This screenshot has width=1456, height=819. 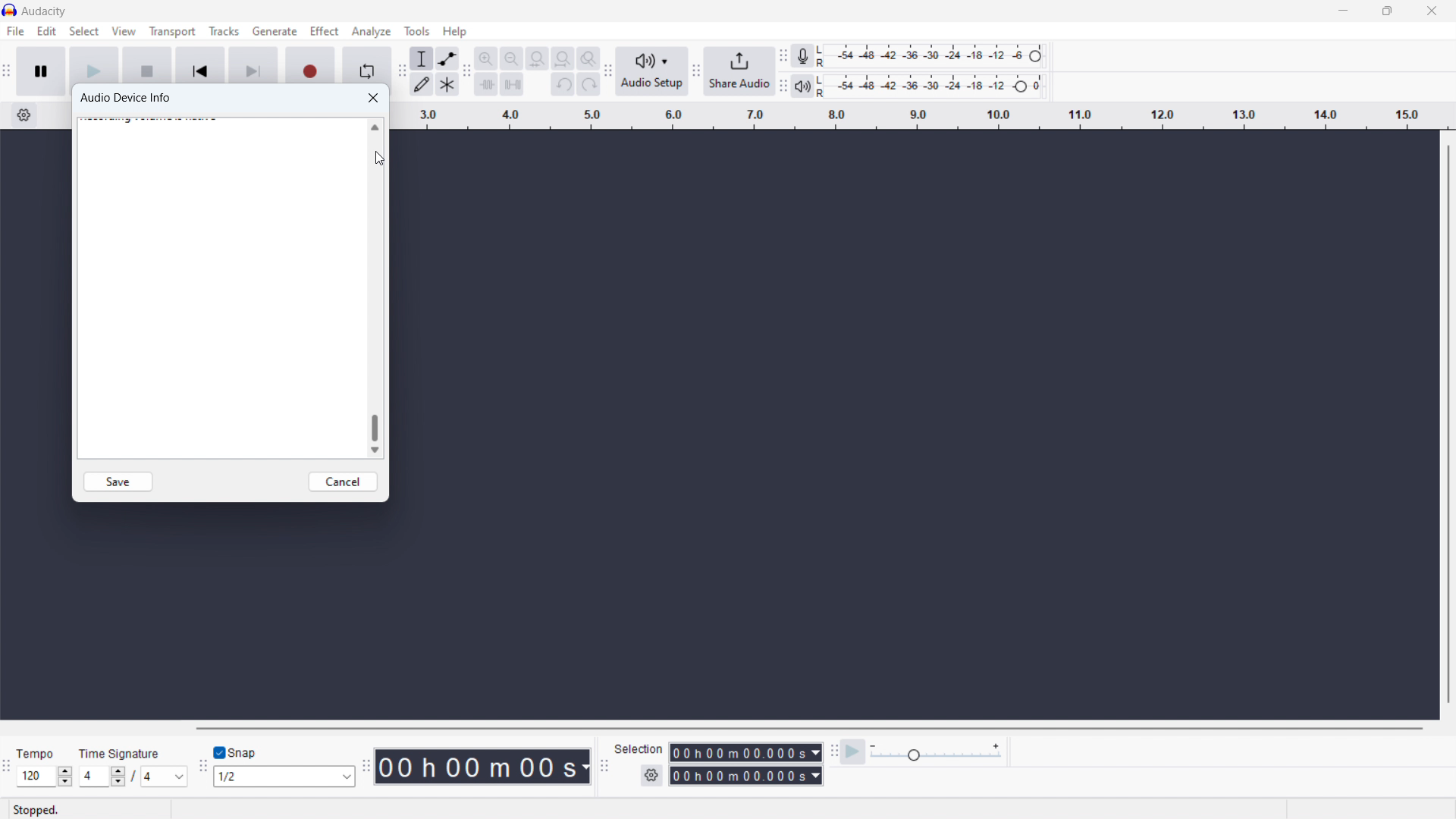 I want to click on Vertical scroll bar, so click(x=1445, y=428).